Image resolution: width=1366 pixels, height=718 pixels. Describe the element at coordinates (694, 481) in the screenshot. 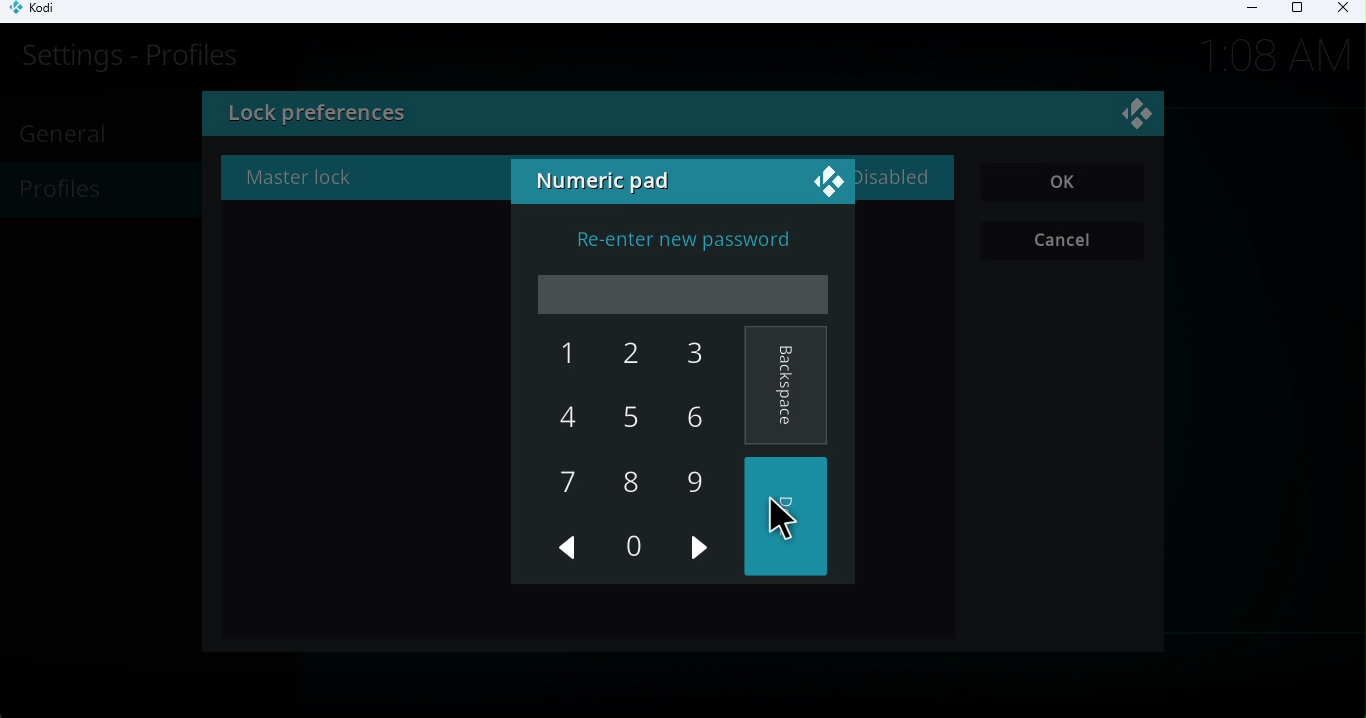

I see `9` at that location.